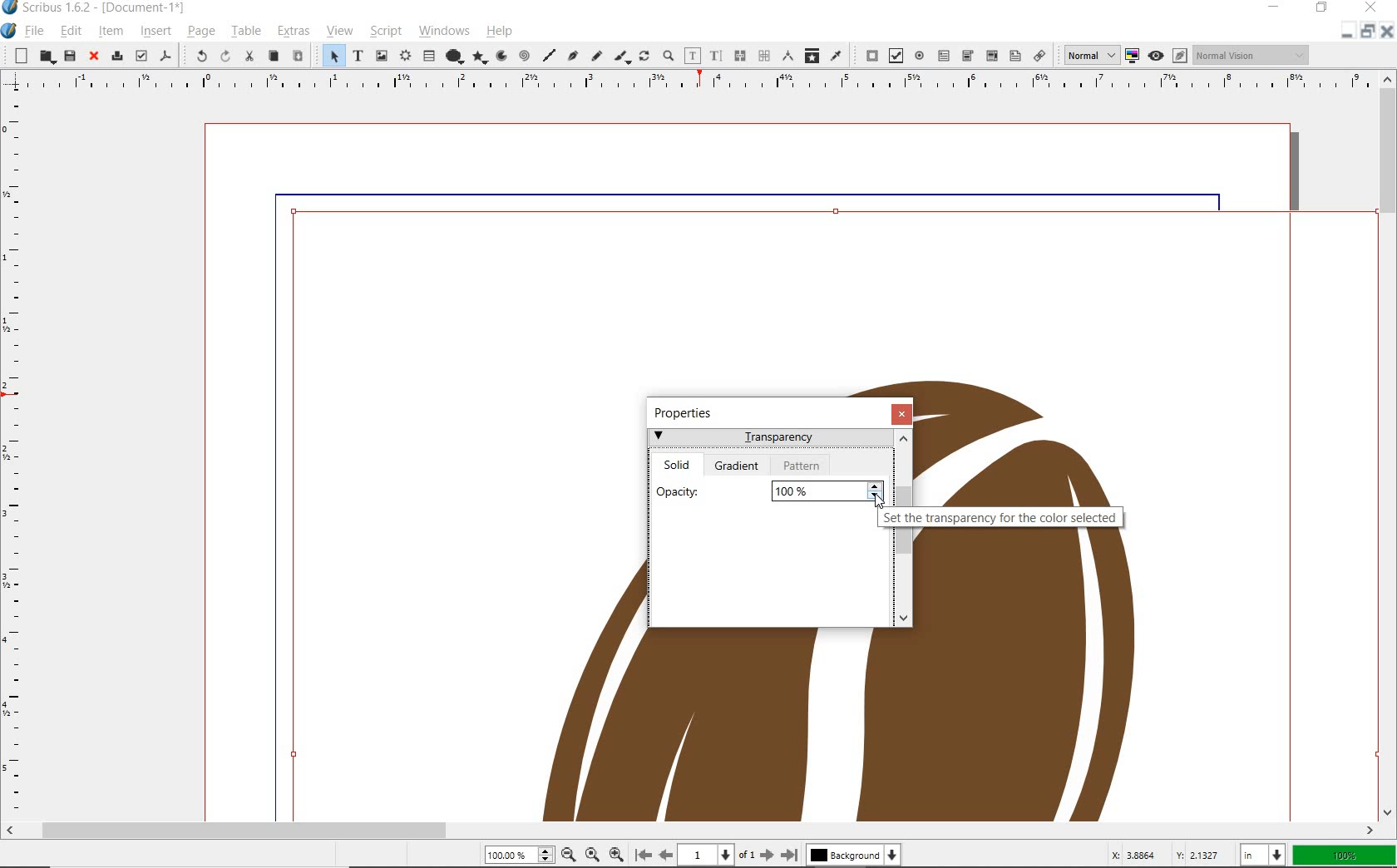  Describe the element at coordinates (46, 56) in the screenshot. I see `open` at that location.